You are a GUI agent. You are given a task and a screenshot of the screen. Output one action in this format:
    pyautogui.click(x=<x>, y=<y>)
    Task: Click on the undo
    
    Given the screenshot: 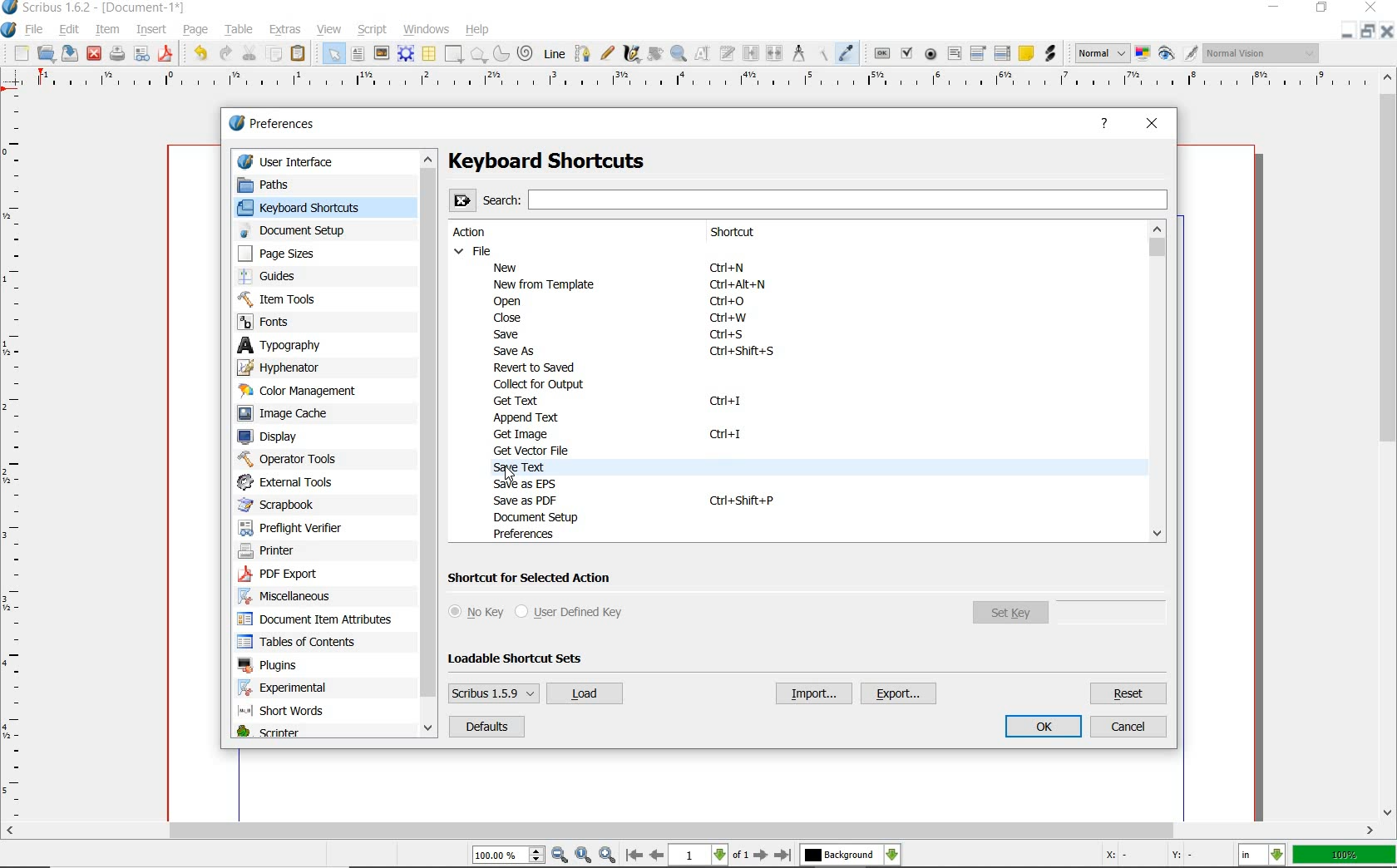 What is the action you would take?
    pyautogui.click(x=200, y=53)
    